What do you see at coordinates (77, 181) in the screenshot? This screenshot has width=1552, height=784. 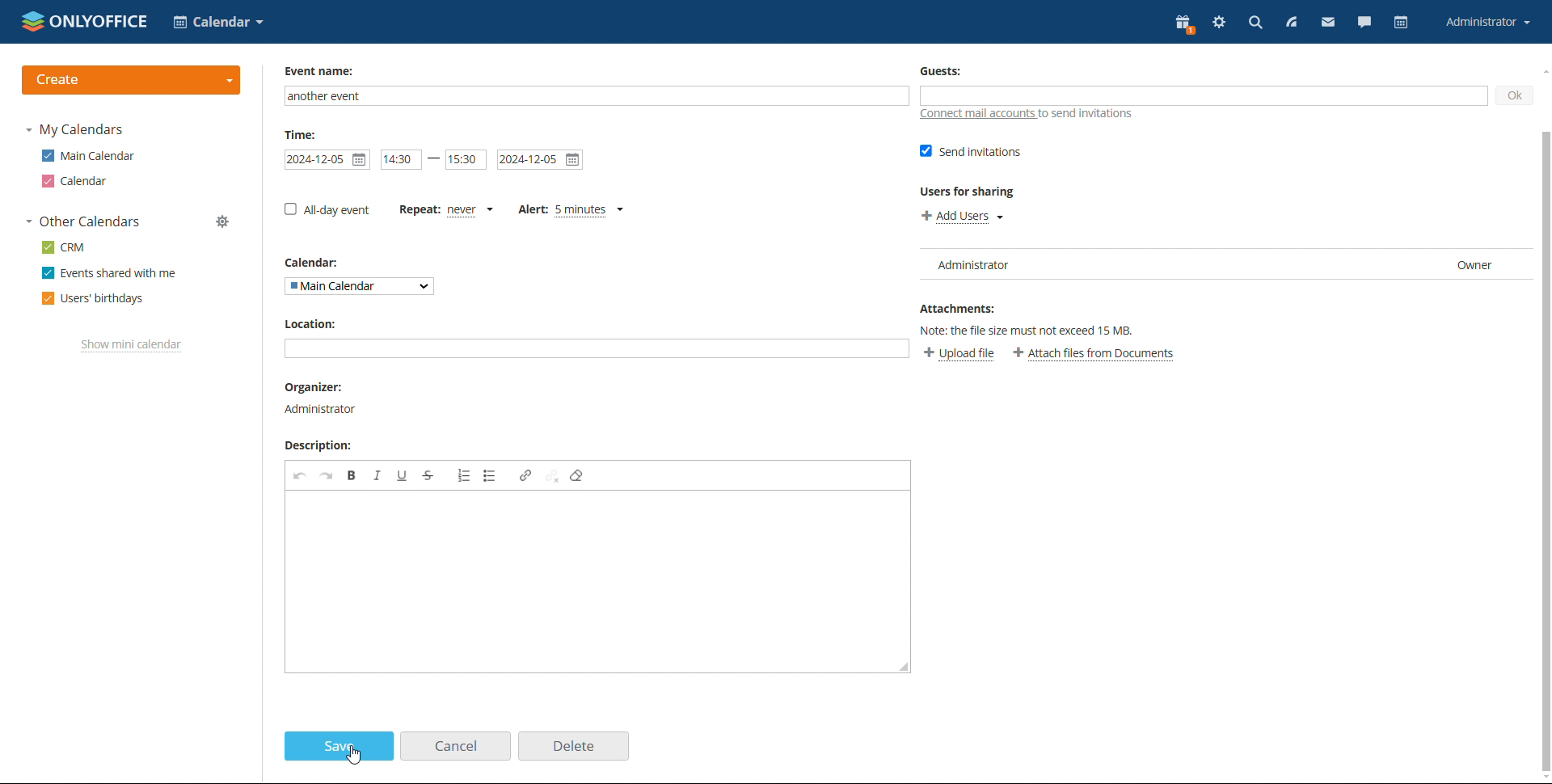 I see `calendar` at bounding box center [77, 181].